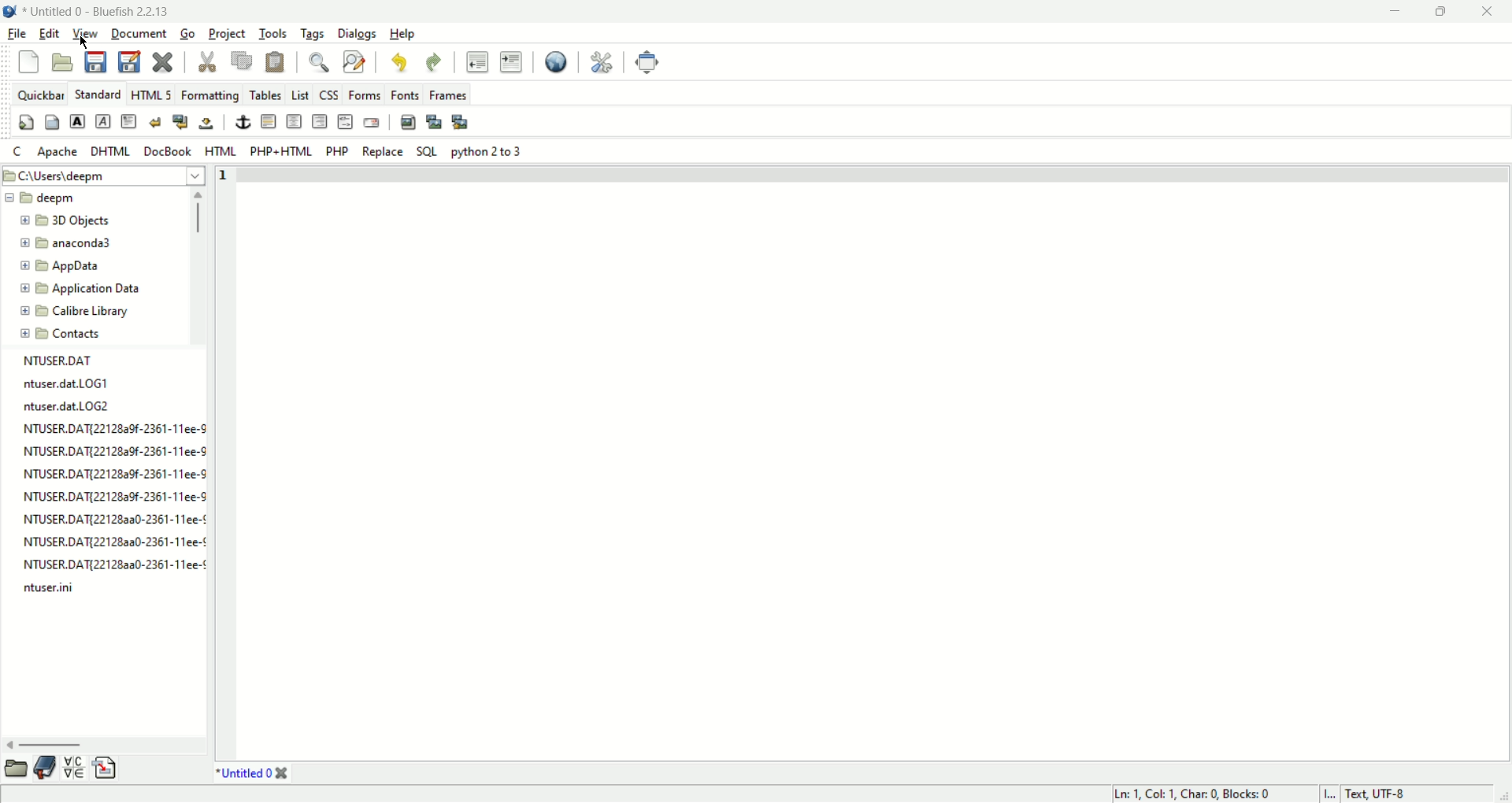 The height and width of the screenshot is (803, 1512). I want to click on new file, so click(28, 62).